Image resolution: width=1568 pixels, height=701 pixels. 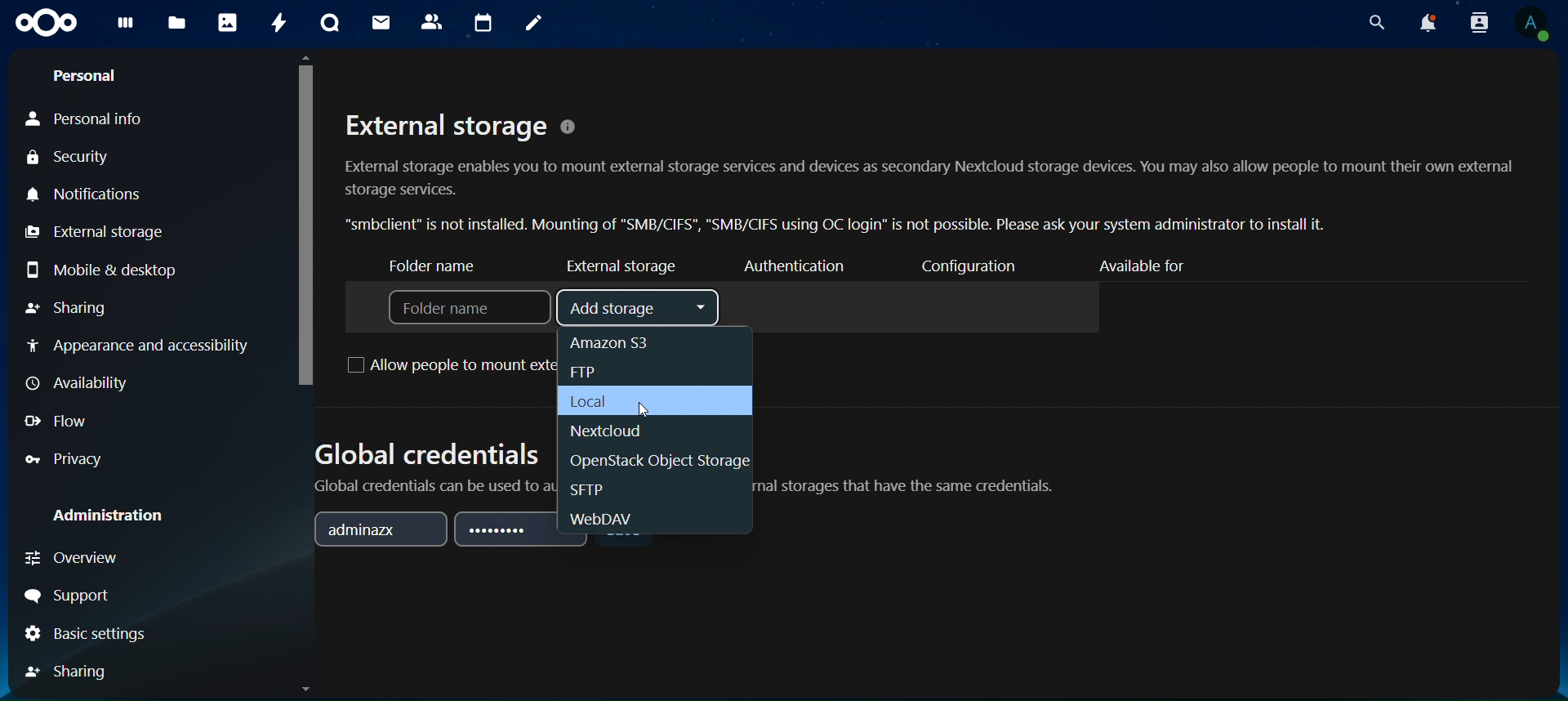 What do you see at coordinates (101, 269) in the screenshot?
I see `mobile & desktop` at bounding box center [101, 269].